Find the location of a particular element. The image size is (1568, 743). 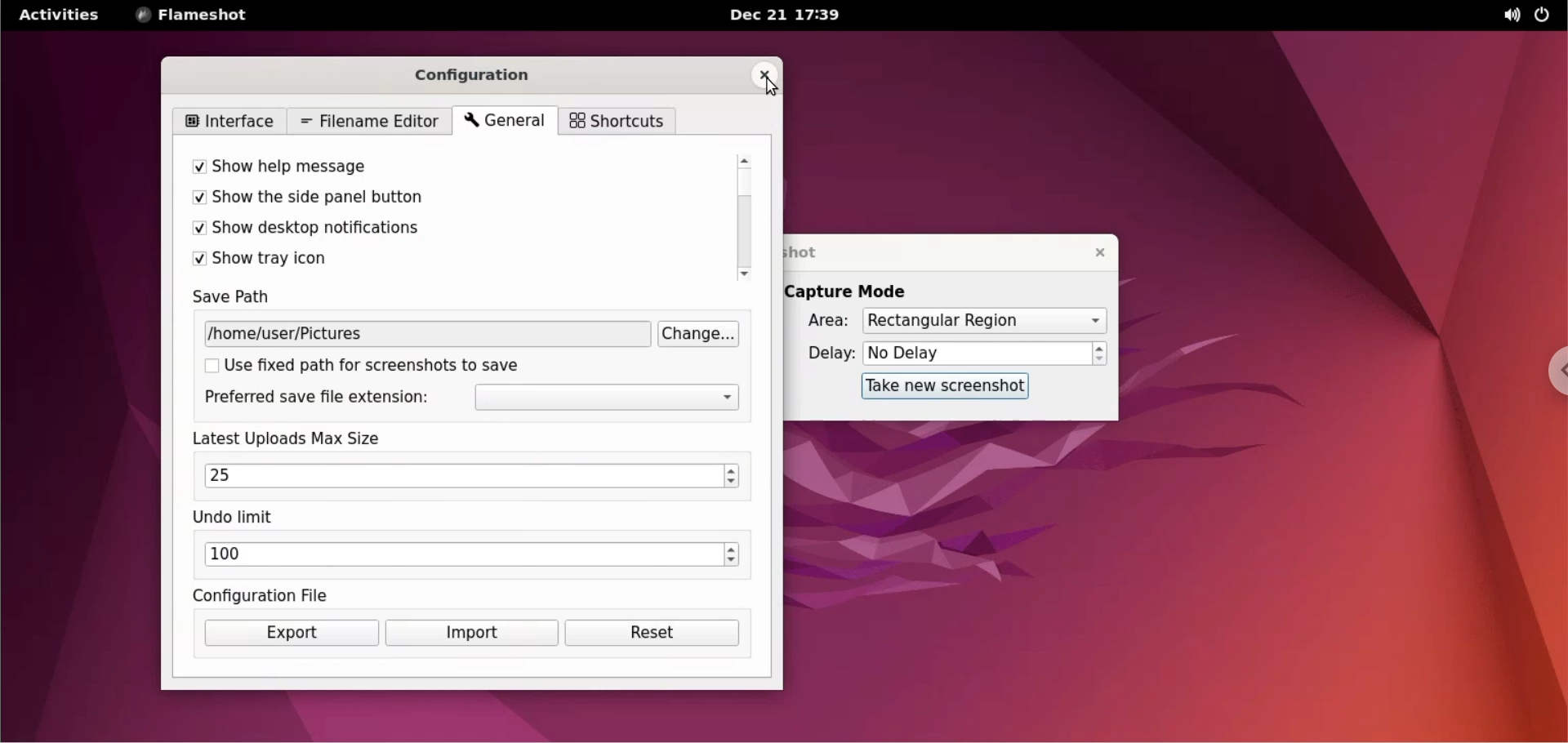

upload max size input box is located at coordinates (457, 476).